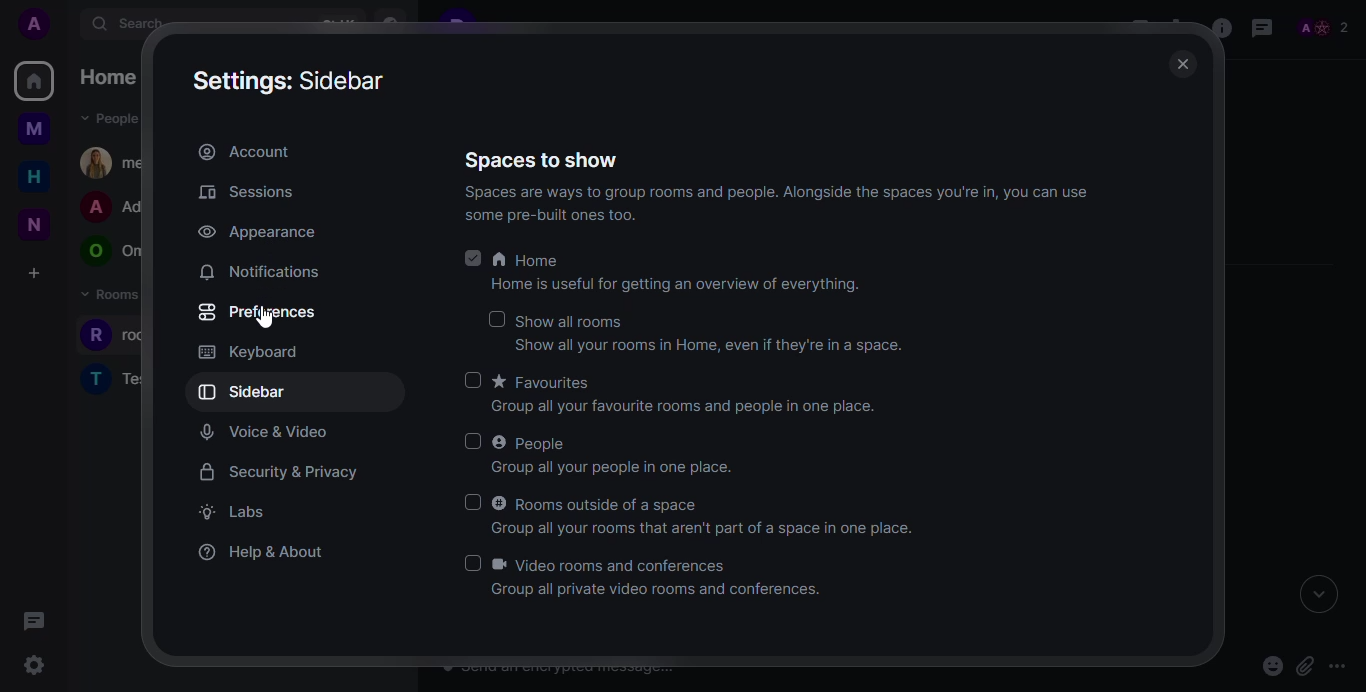 The height and width of the screenshot is (692, 1366). What do you see at coordinates (118, 295) in the screenshot?
I see `rooms dropdown` at bounding box center [118, 295].